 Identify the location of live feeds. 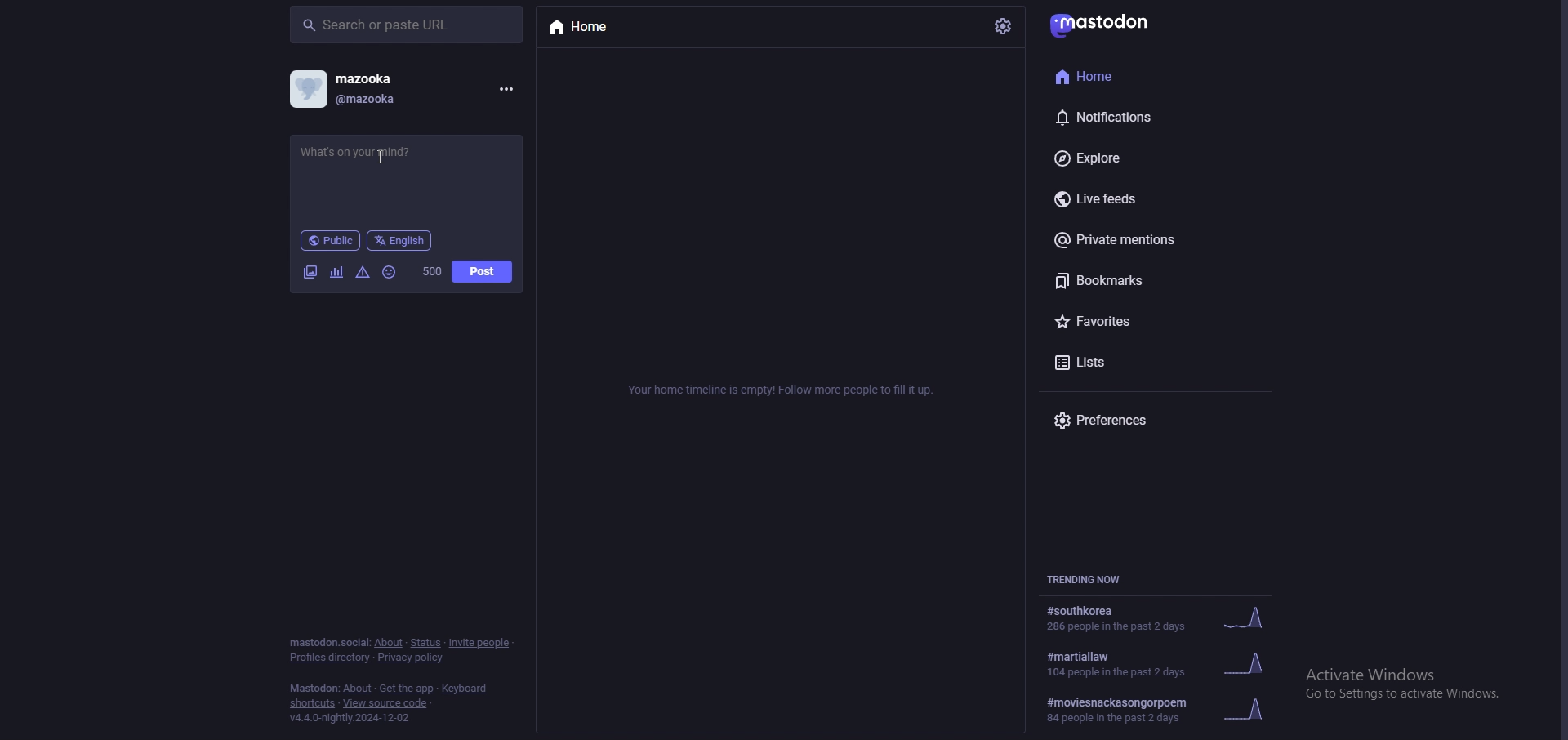
(1124, 200).